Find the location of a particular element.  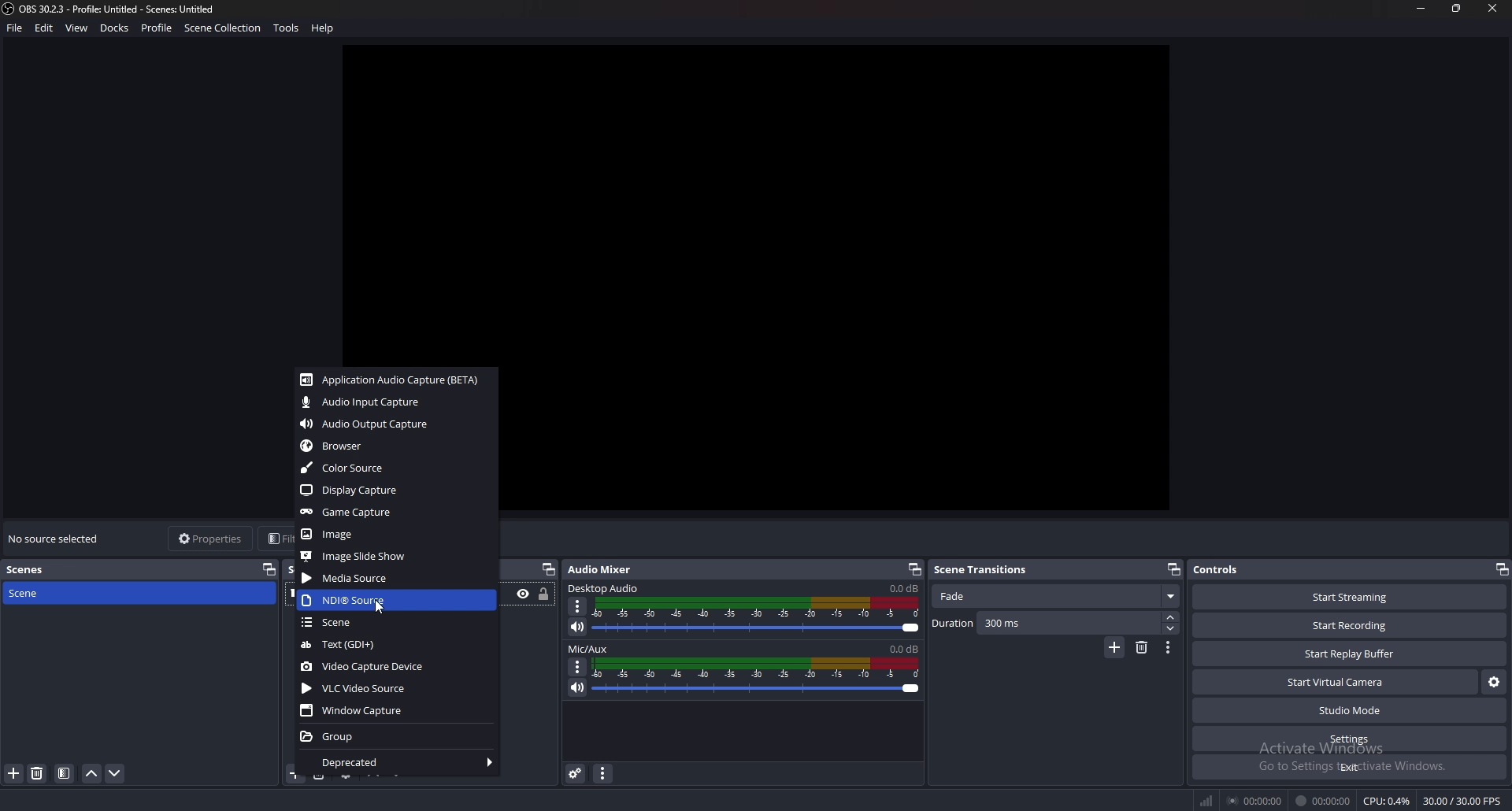

move scene down is located at coordinates (114, 773).